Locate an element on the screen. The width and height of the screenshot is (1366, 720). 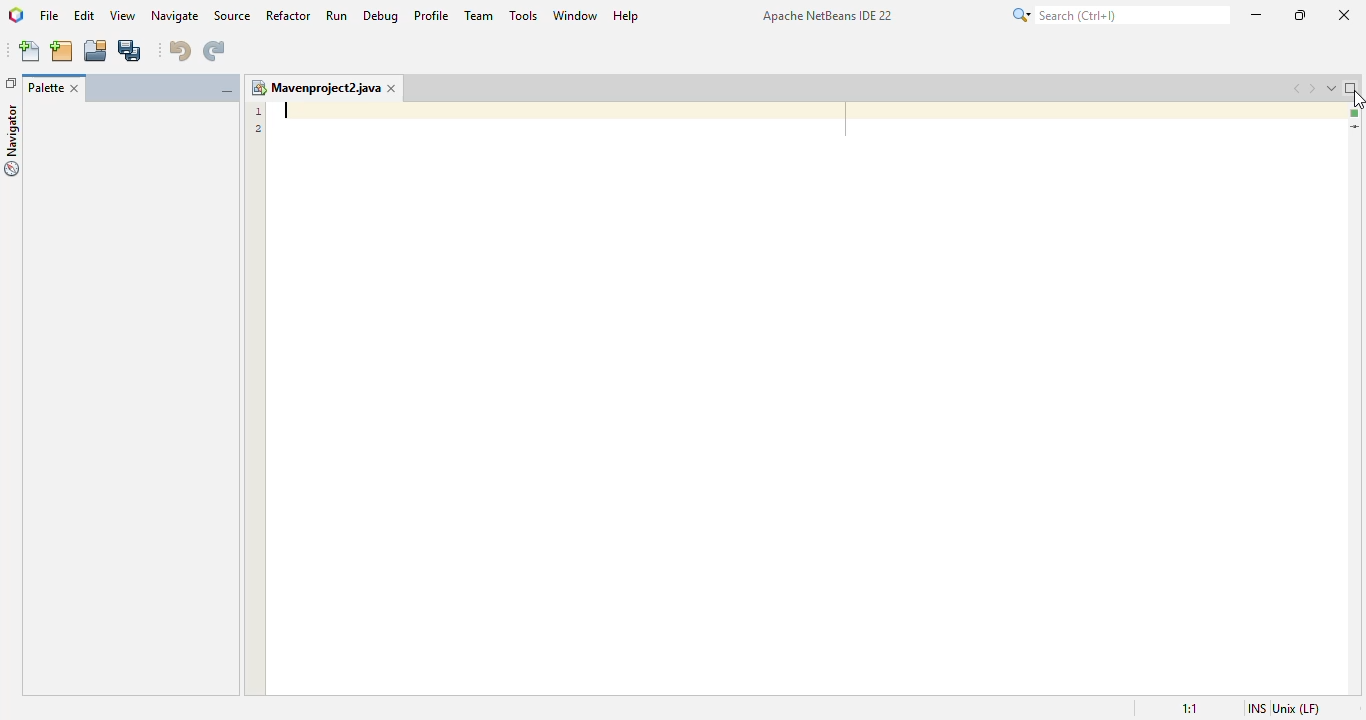
refactor is located at coordinates (289, 16).